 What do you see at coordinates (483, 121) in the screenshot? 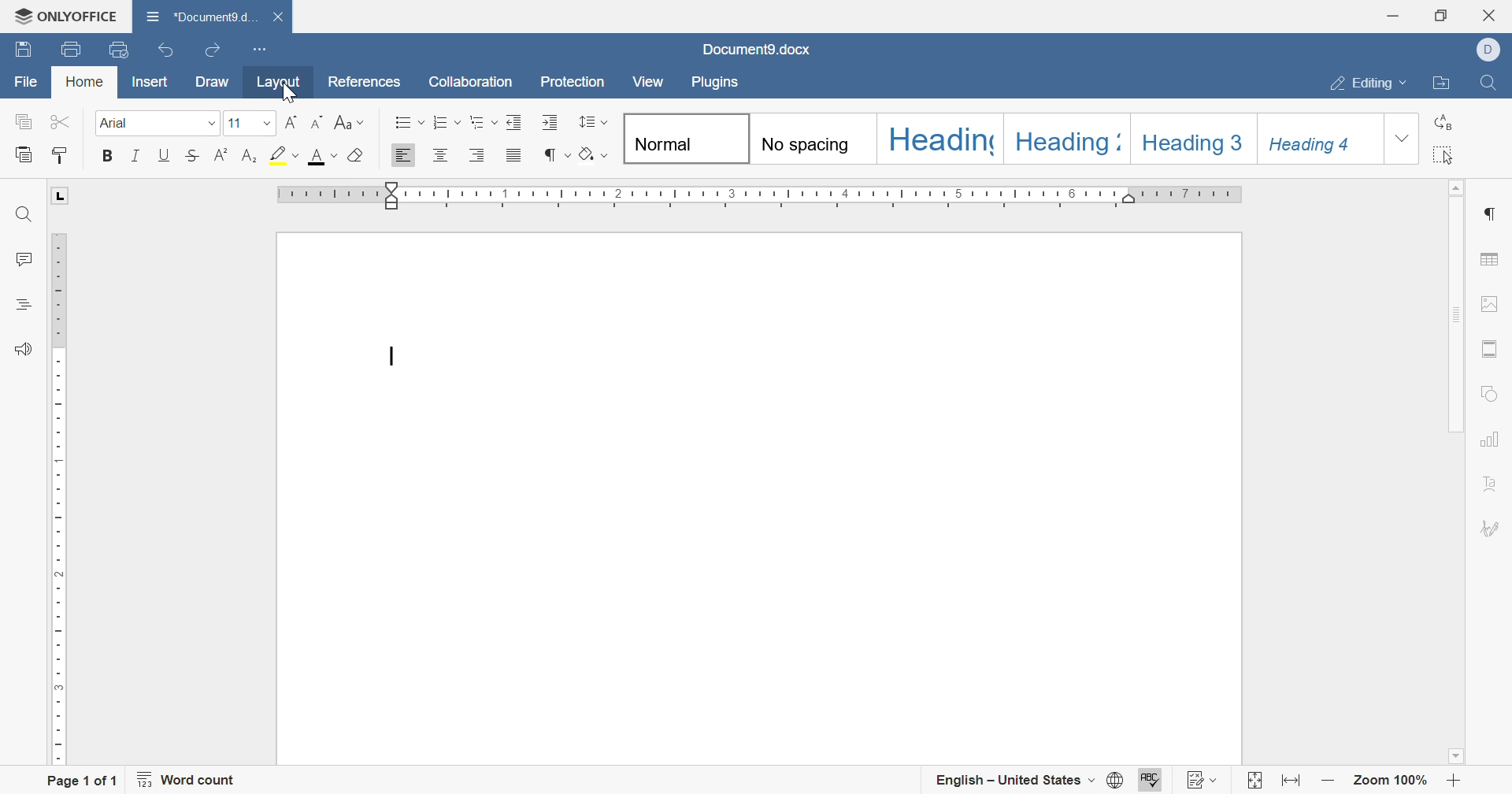
I see `multilevel list` at bounding box center [483, 121].